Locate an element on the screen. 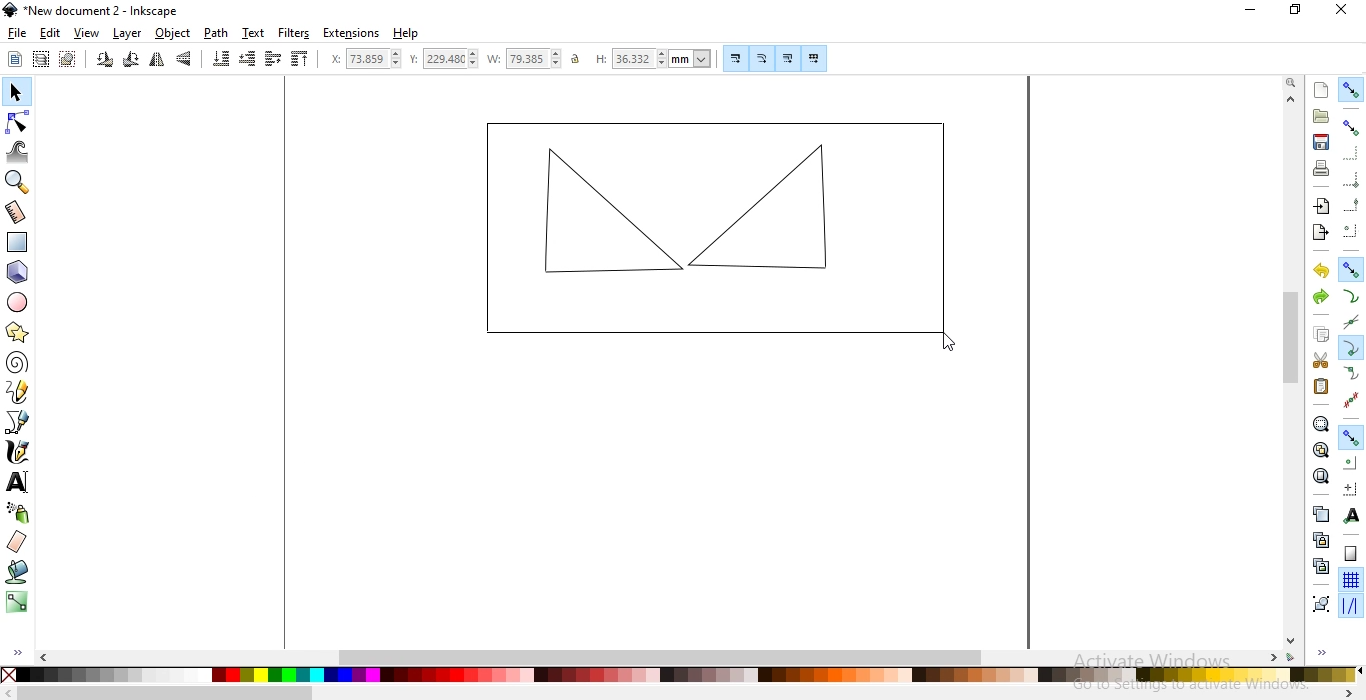 The image size is (1366, 700). new document 2 - Inkscape is located at coordinates (98, 9).